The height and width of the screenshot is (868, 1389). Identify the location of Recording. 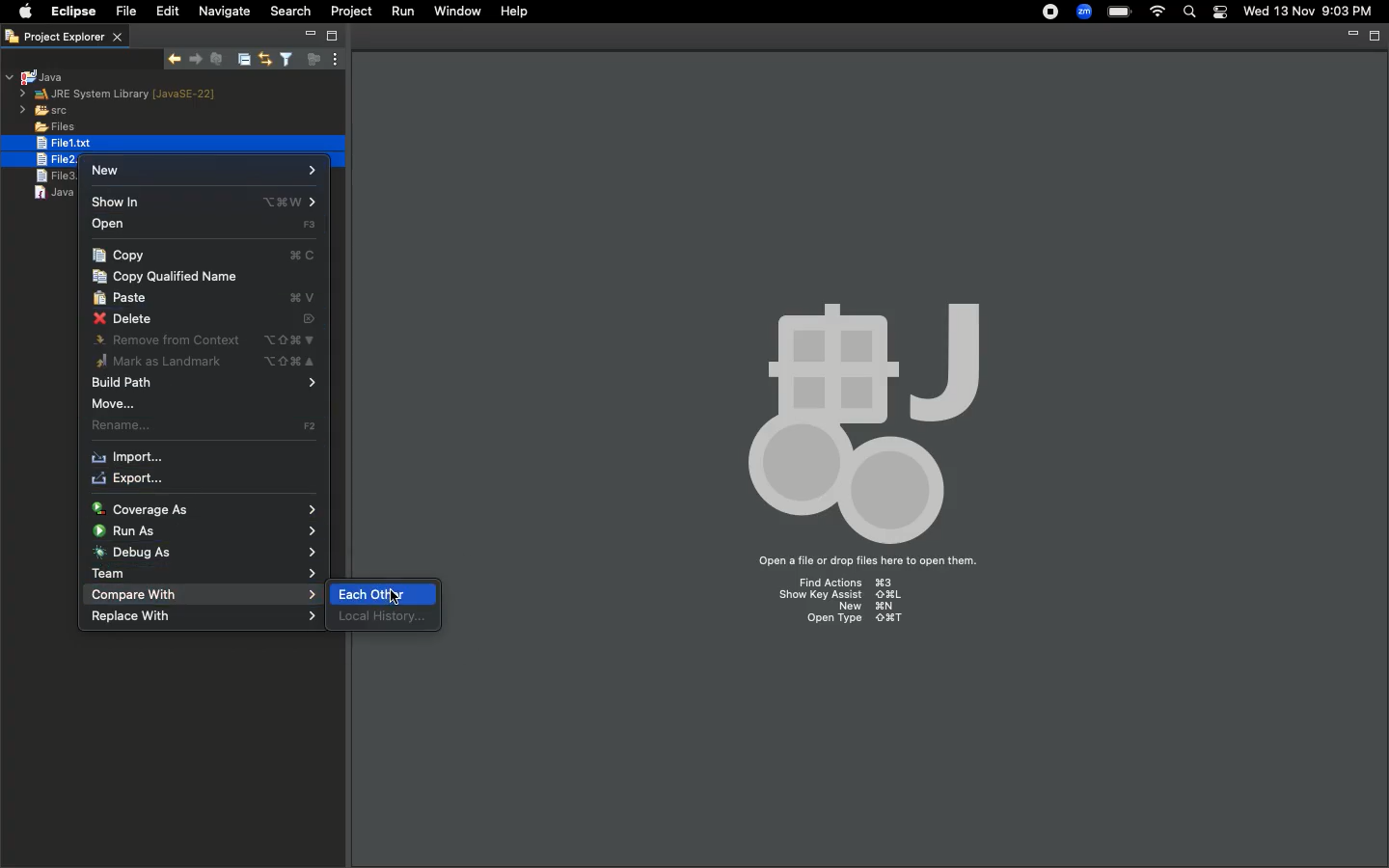
(1046, 14).